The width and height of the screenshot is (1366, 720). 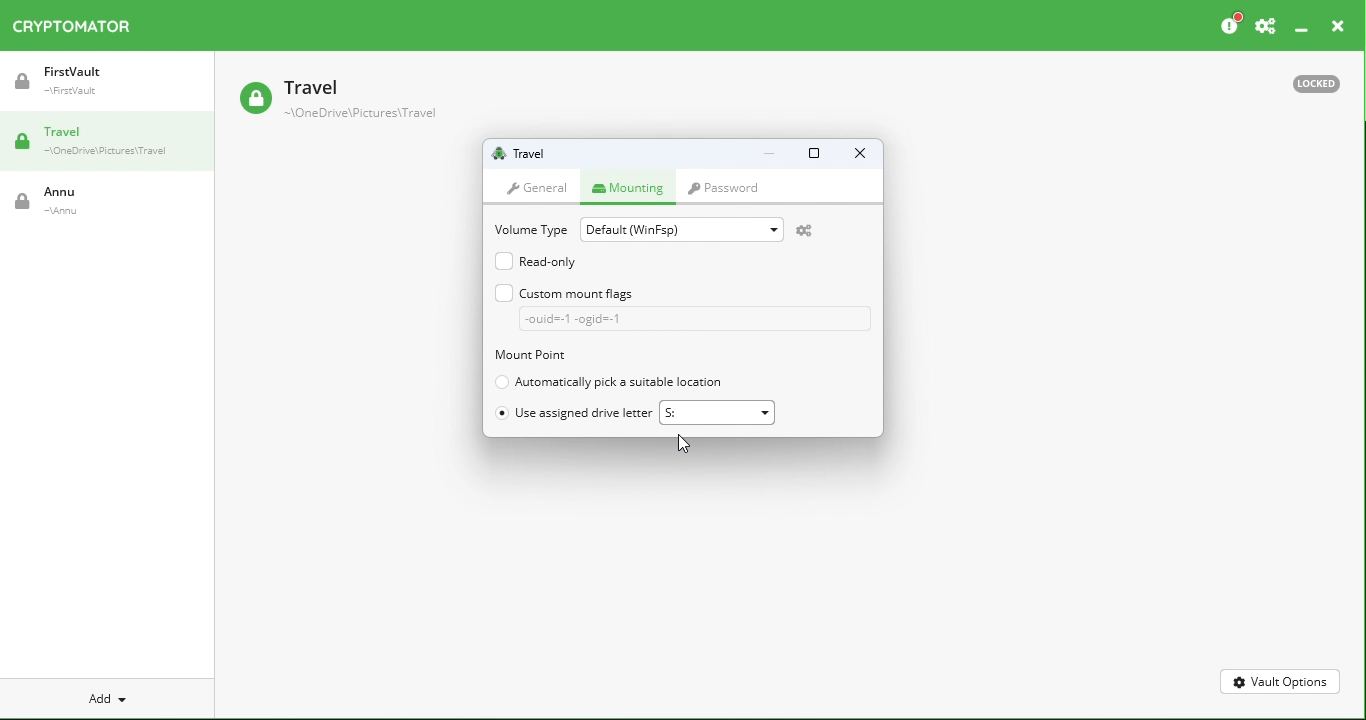 I want to click on Minimize, so click(x=770, y=156).